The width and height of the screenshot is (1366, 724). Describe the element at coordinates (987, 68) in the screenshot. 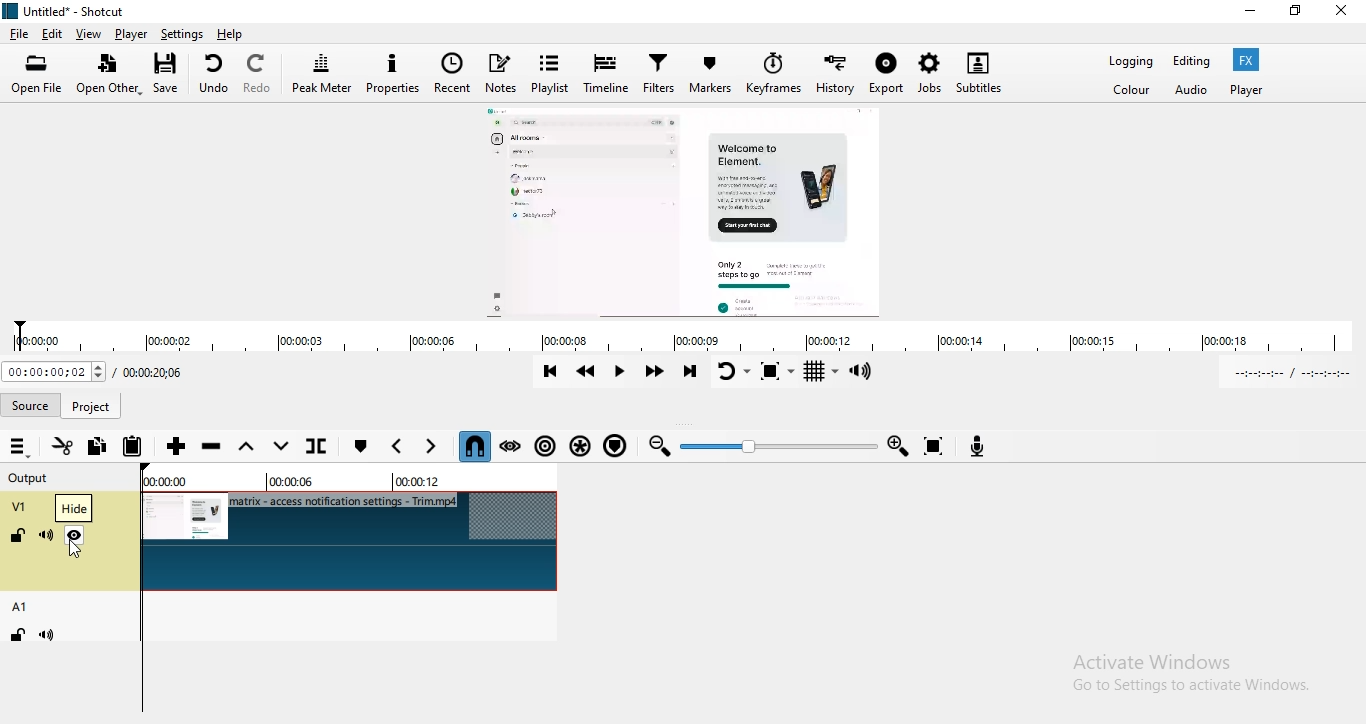

I see `Subtitles` at that location.